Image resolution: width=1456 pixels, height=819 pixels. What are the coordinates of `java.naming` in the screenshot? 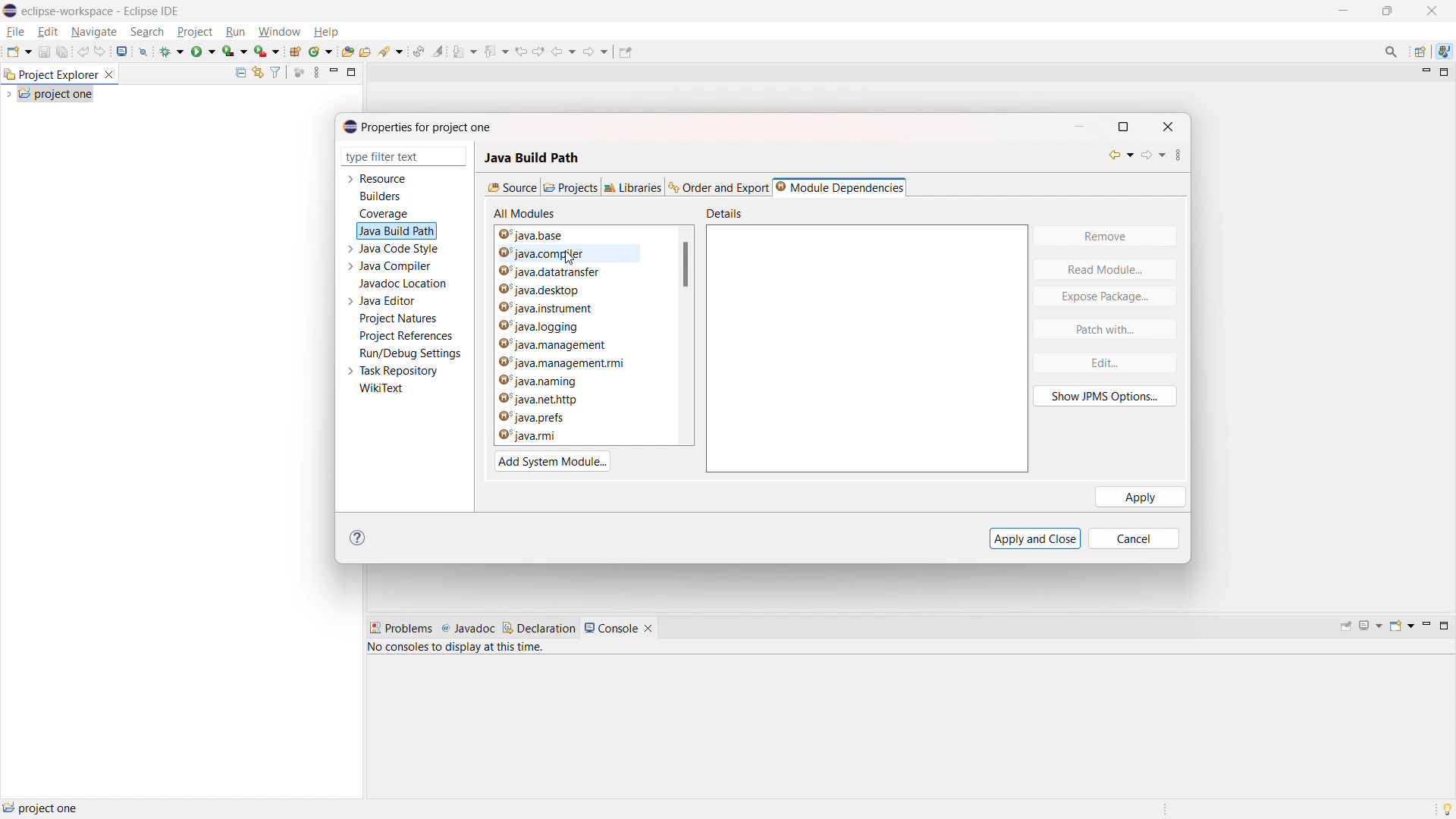 It's located at (566, 381).